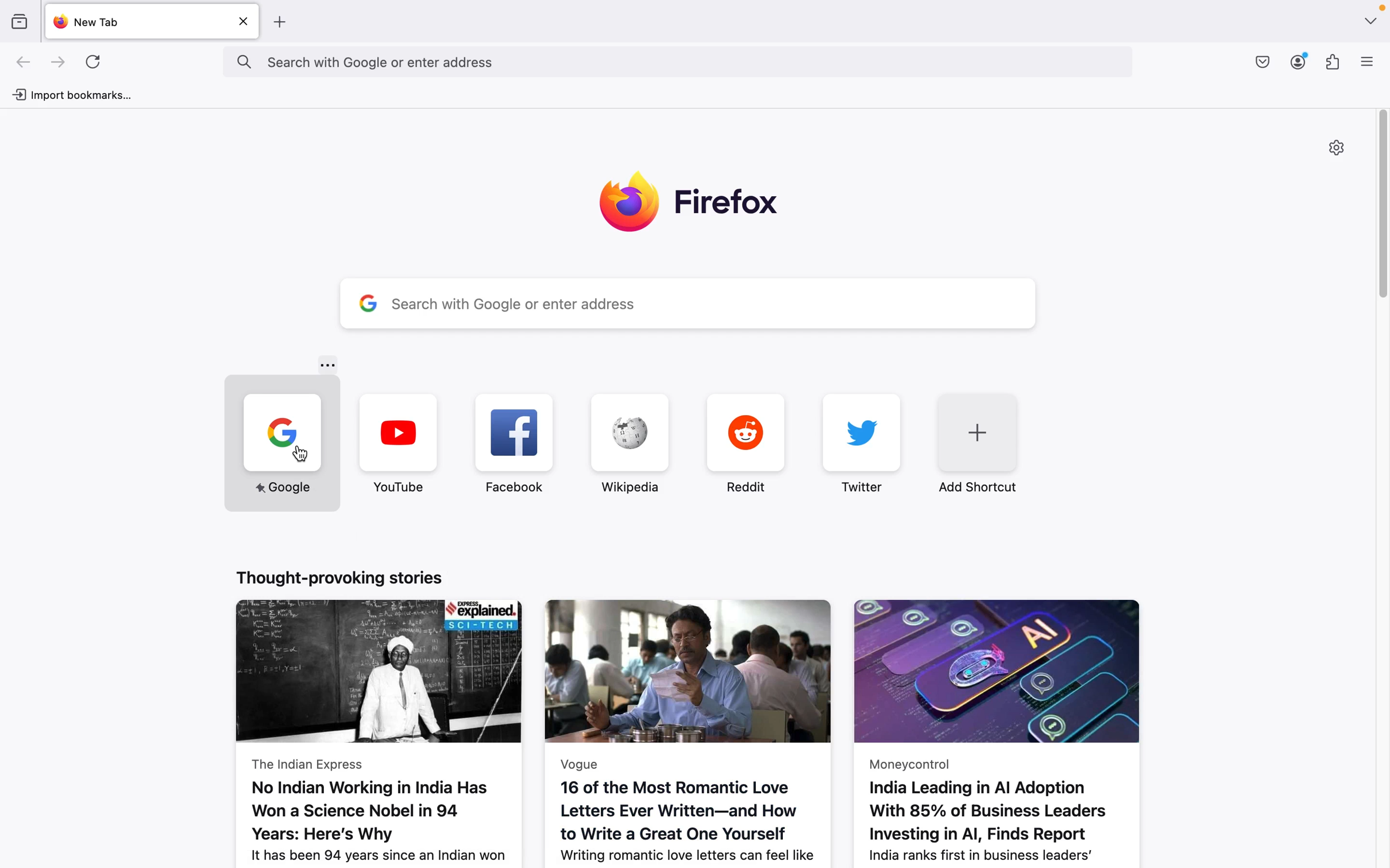 The height and width of the screenshot is (868, 1390). Describe the element at coordinates (400, 443) in the screenshot. I see `youtube` at that location.